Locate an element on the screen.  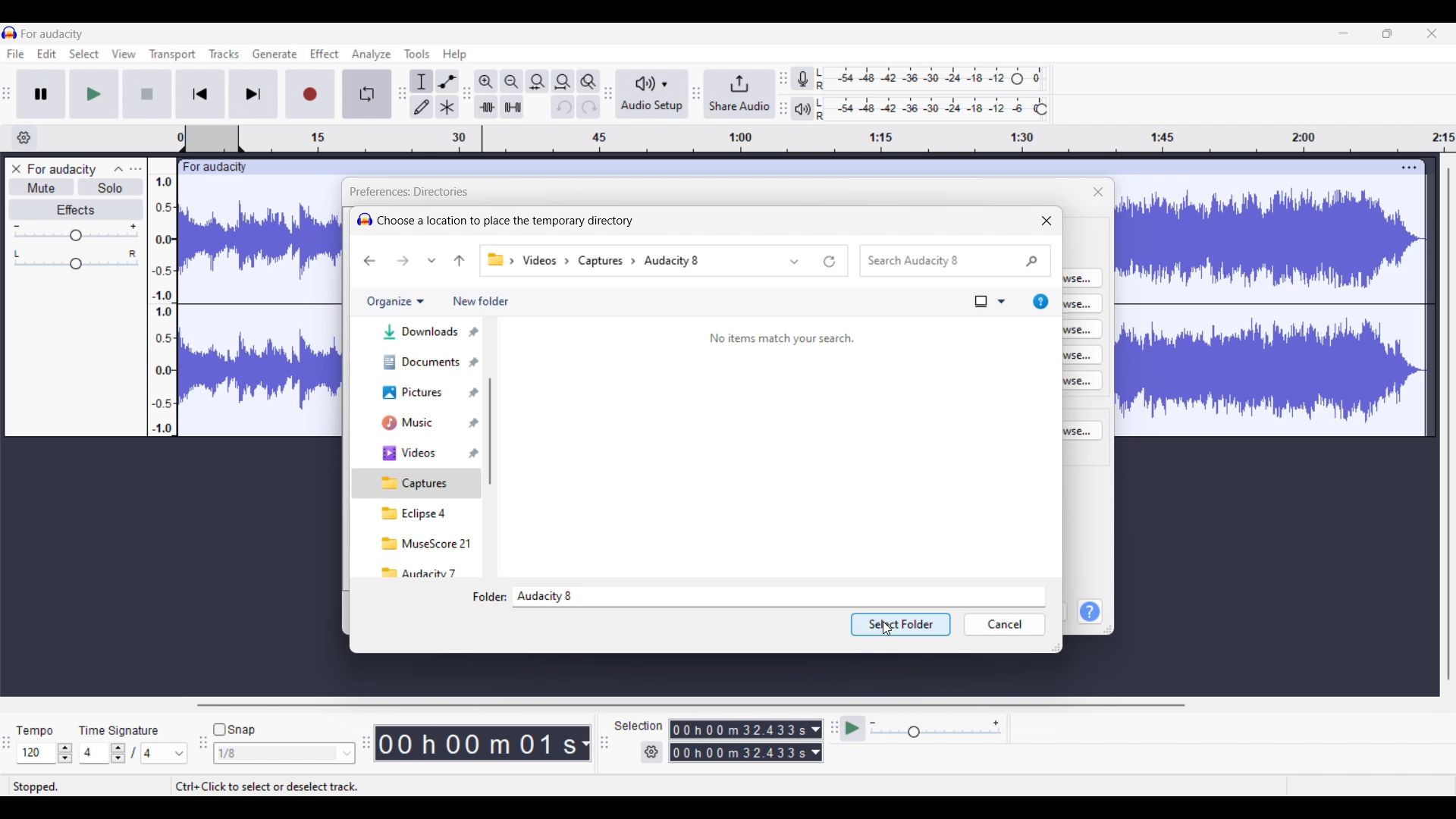
timestamp is located at coordinates (817, 139).